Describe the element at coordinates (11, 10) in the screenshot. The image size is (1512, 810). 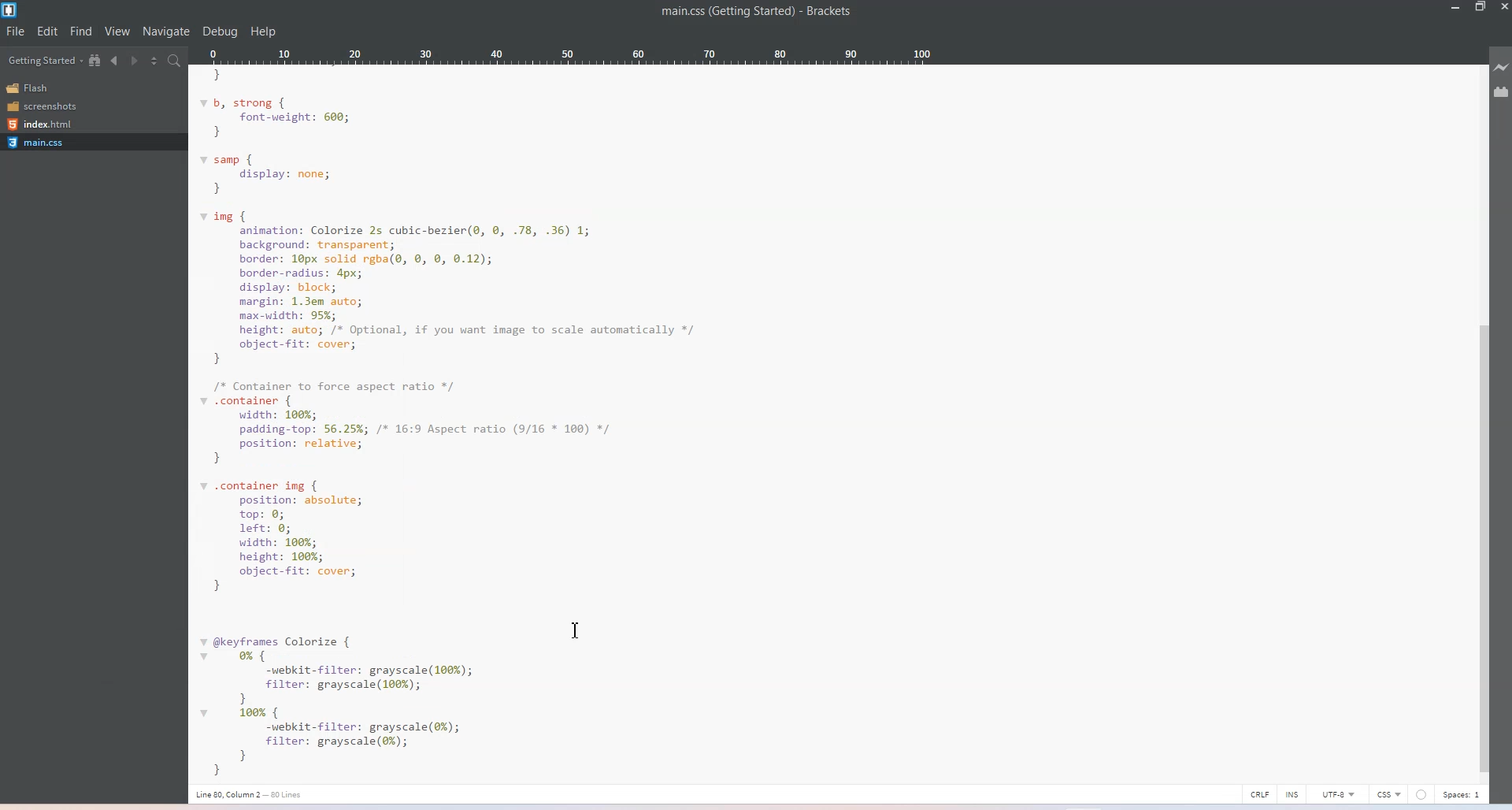
I see `Logo` at that location.